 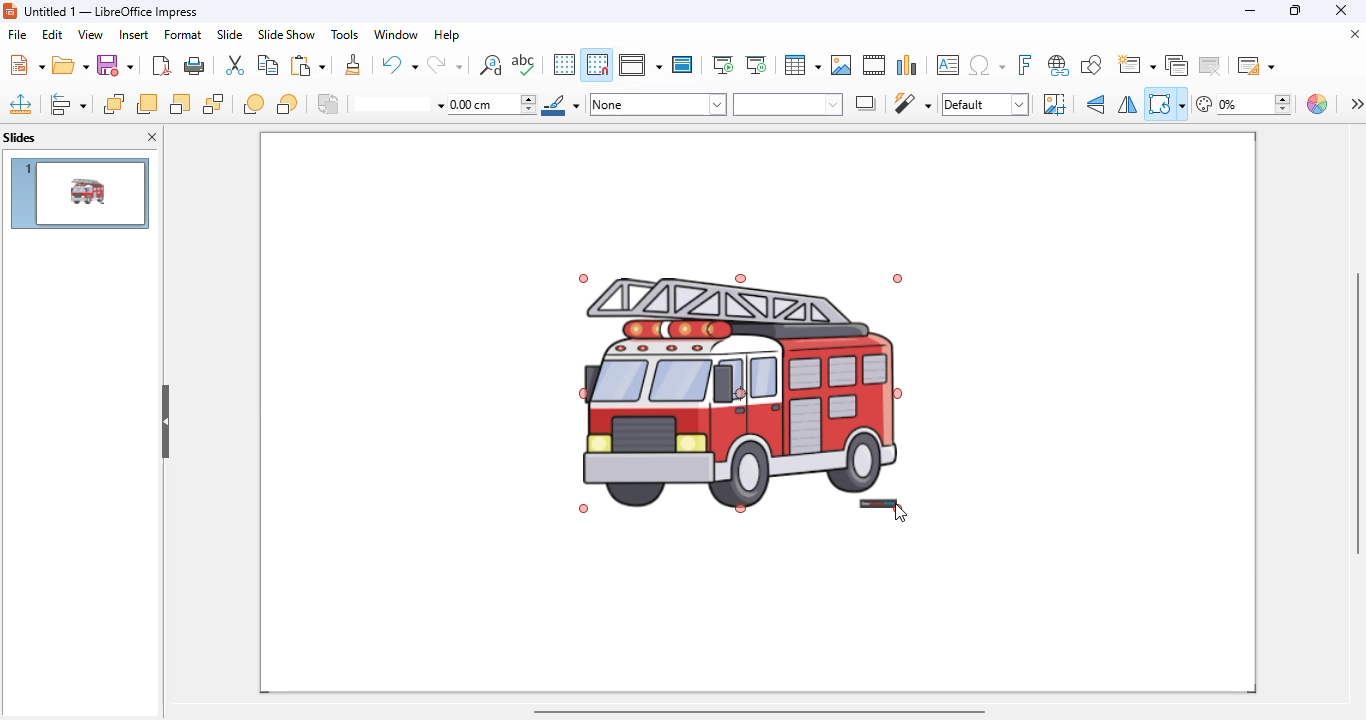 What do you see at coordinates (987, 65) in the screenshot?
I see `insert special characters` at bounding box center [987, 65].